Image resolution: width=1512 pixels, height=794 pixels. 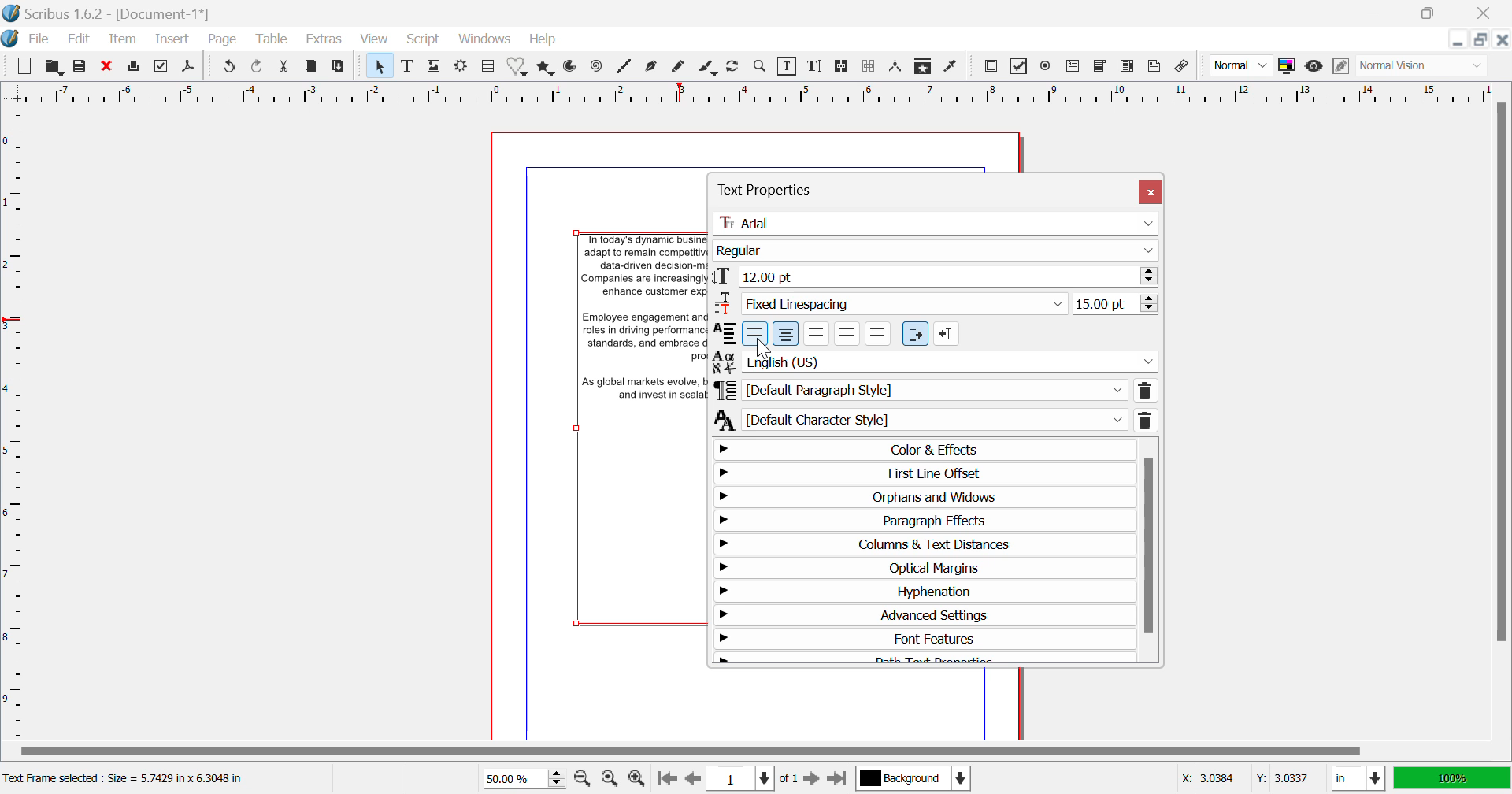 What do you see at coordinates (953, 68) in the screenshot?
I see `Eyedropper` at bounding box center [953, 68].